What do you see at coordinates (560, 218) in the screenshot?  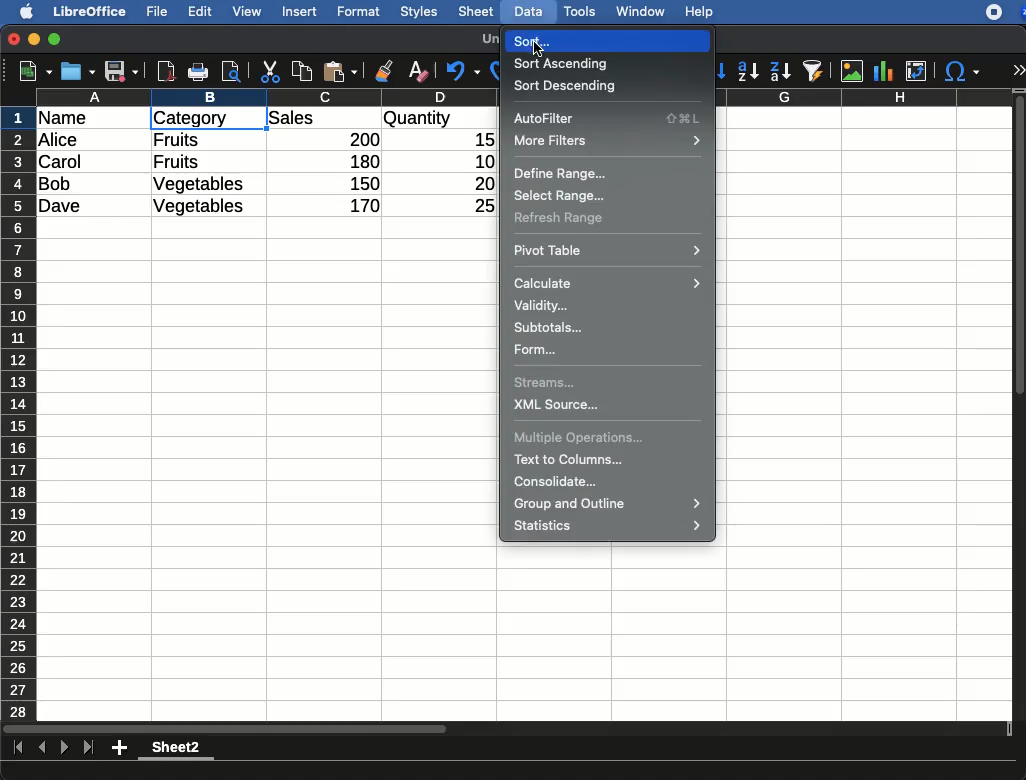 I see `refresh range` at bounding box center [560, 218].